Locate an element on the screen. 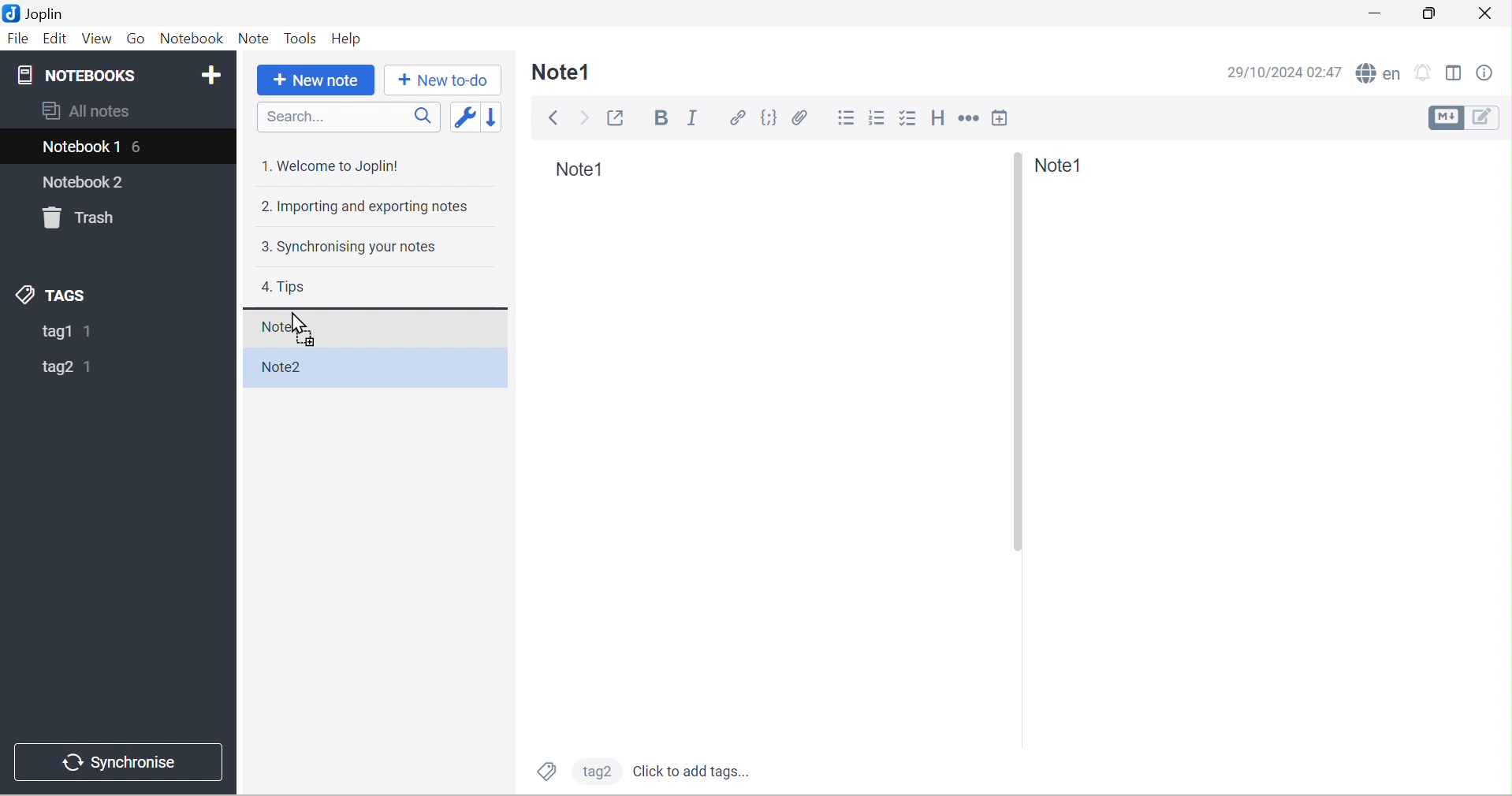 This screenshot has height=796, width=1512. Toggle sort order field: updated date -> created date is located at coordinates (465, 117).